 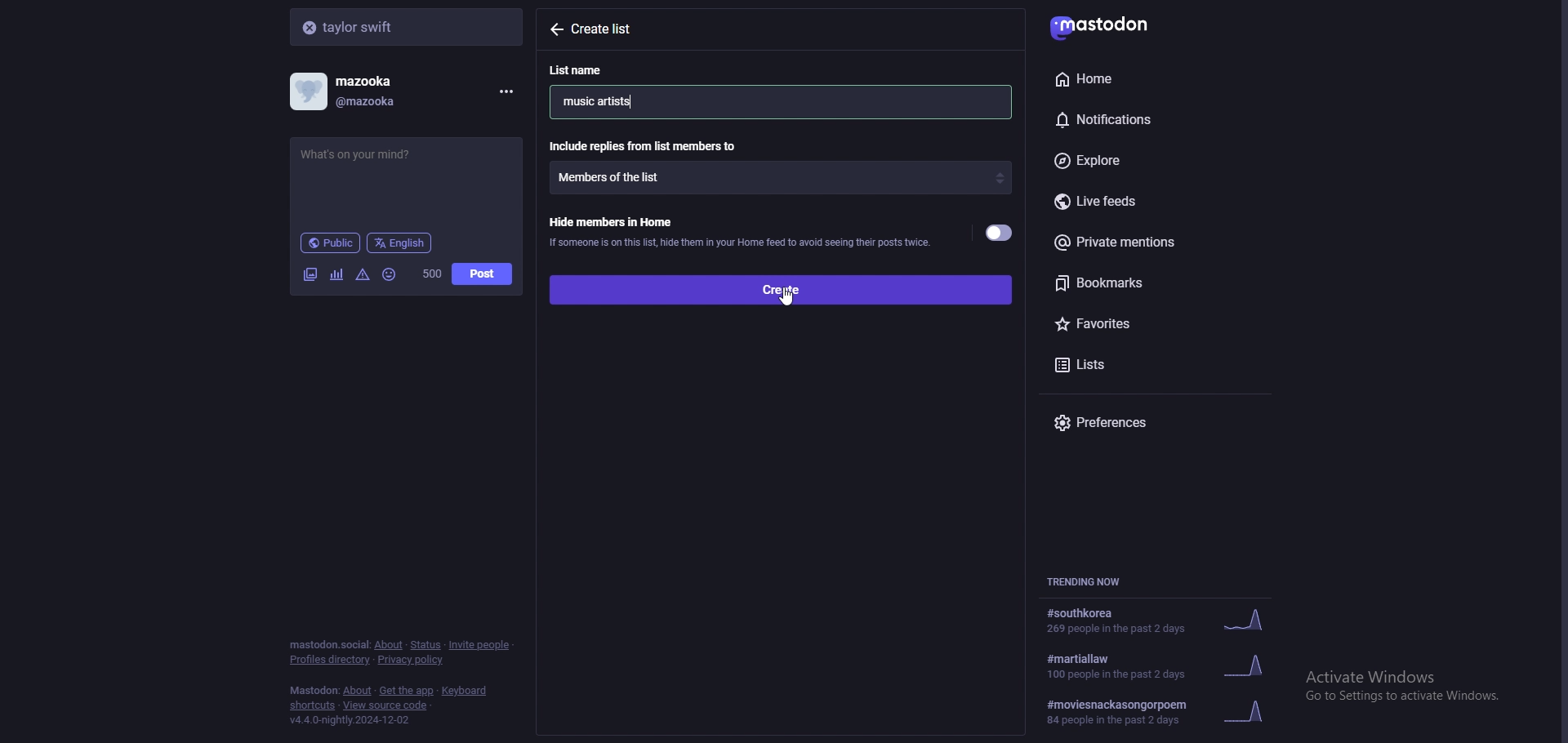 What do you see at coordinates (330, 242) in the screenshot?
I see `audience` at bounding box center [330, 242].